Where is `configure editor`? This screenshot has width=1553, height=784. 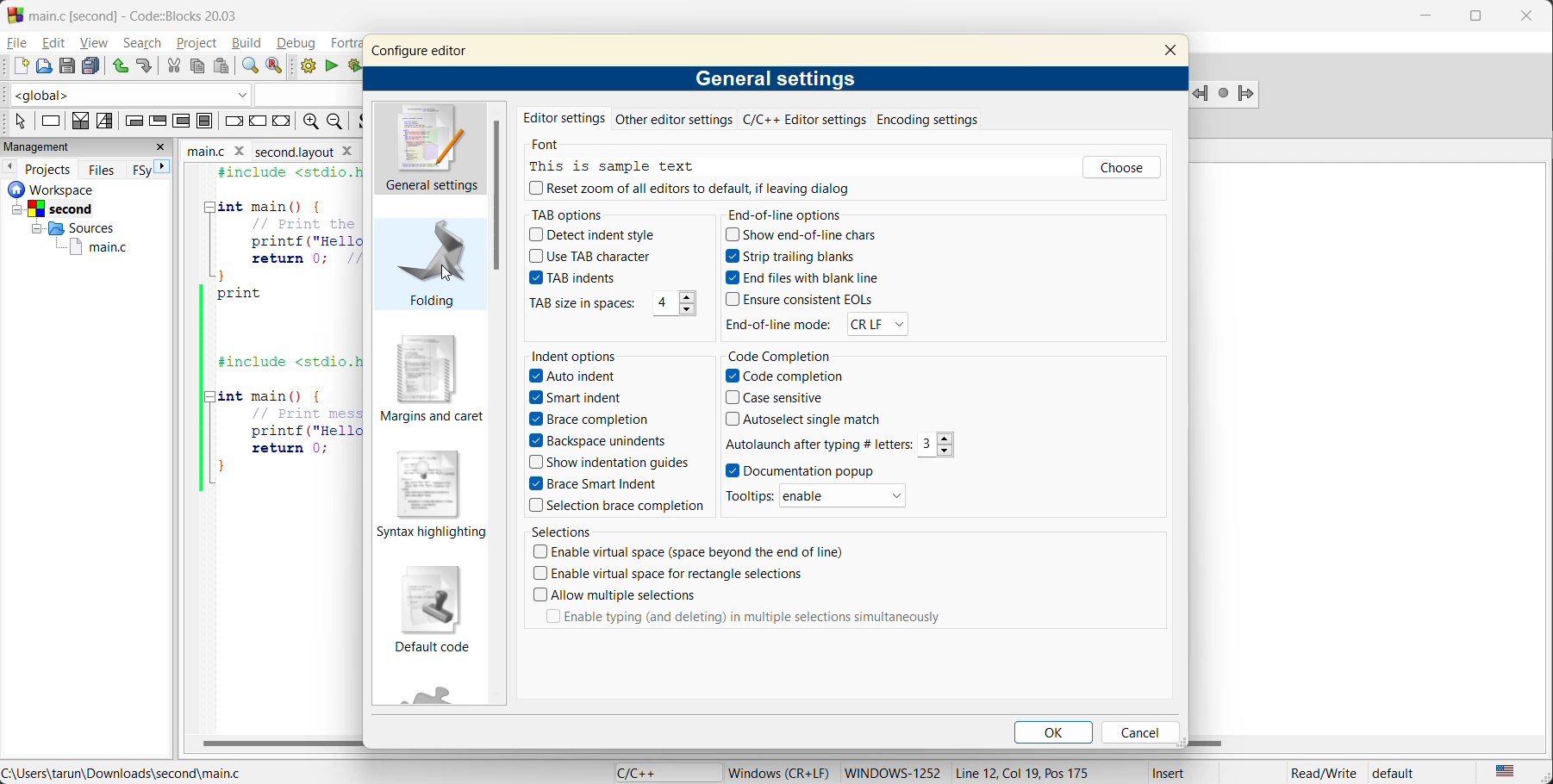 configure editor is located at coordinates (427, 51).